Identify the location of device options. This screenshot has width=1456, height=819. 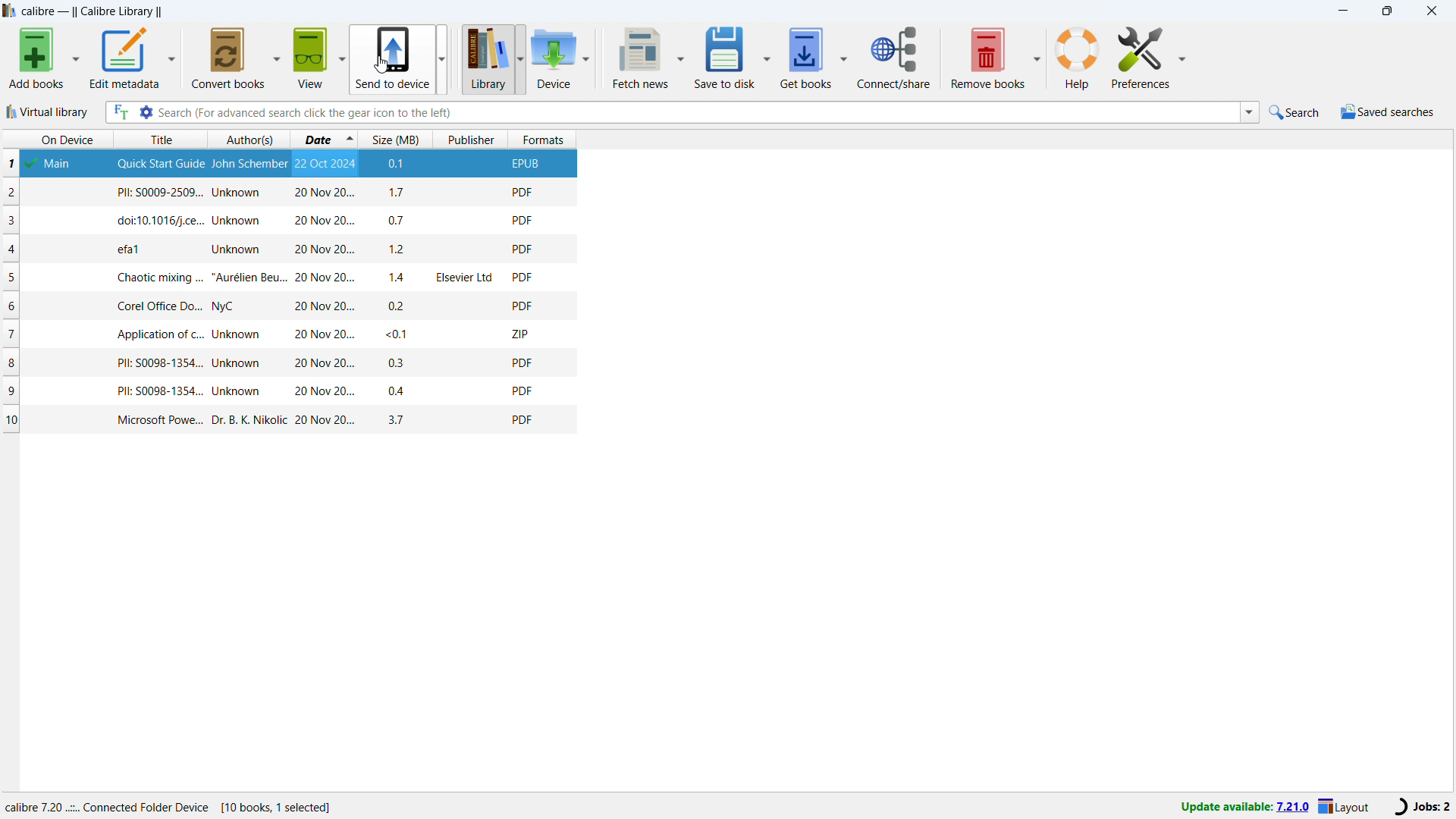
(587, 58).